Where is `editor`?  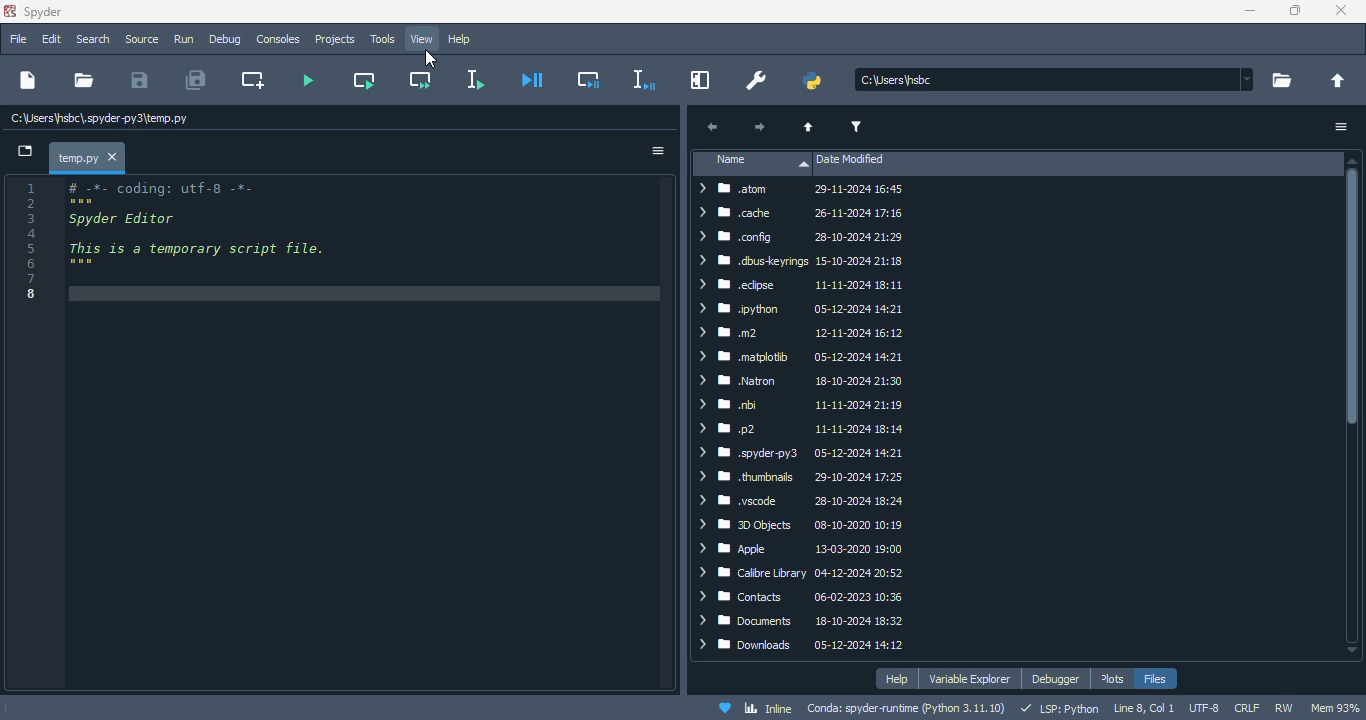
editor is located at coordinates (364, 434).